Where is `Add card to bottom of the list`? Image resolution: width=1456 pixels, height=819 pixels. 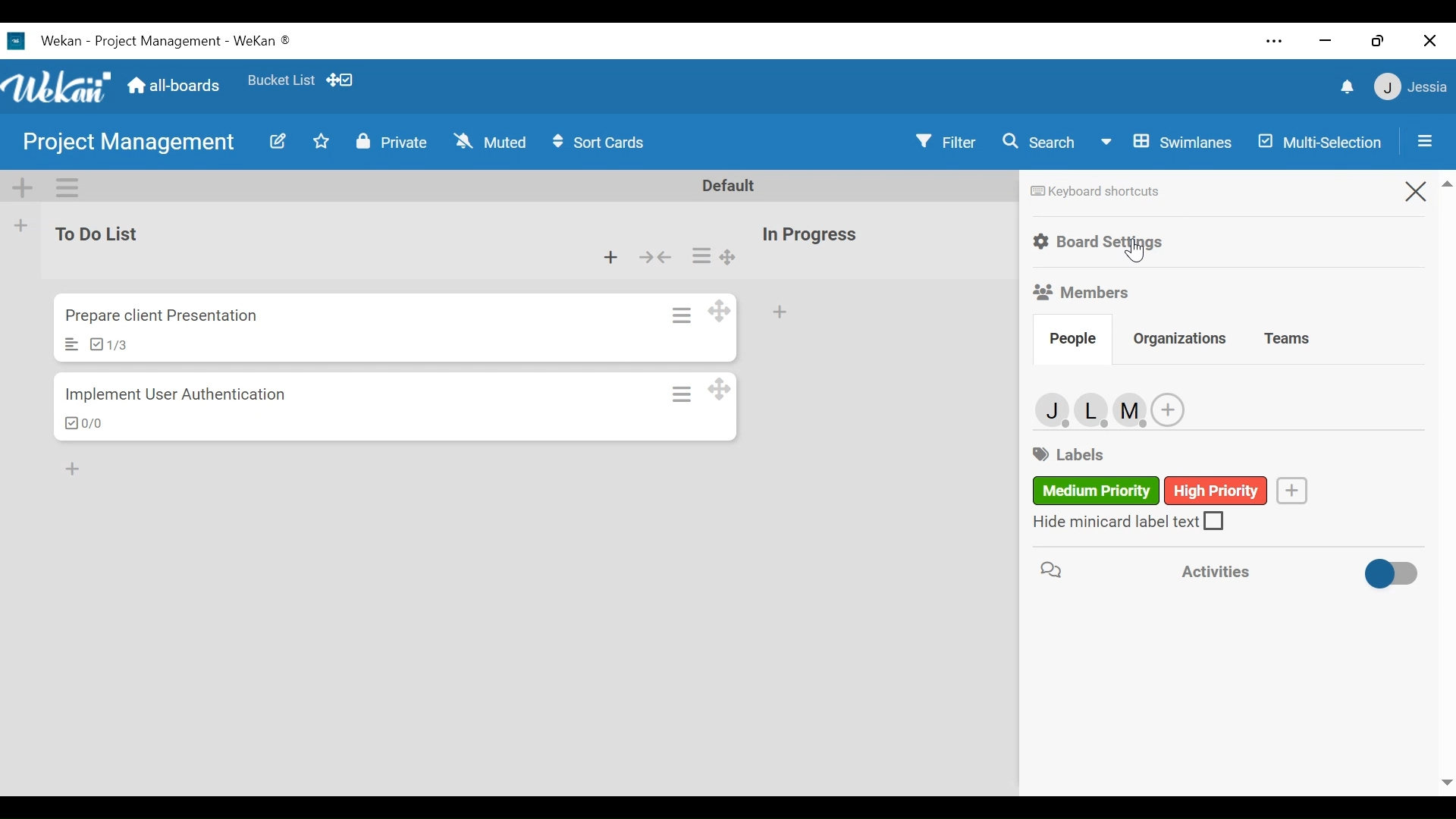
Add card to bottom of the list is located at coordinates (779, 315).